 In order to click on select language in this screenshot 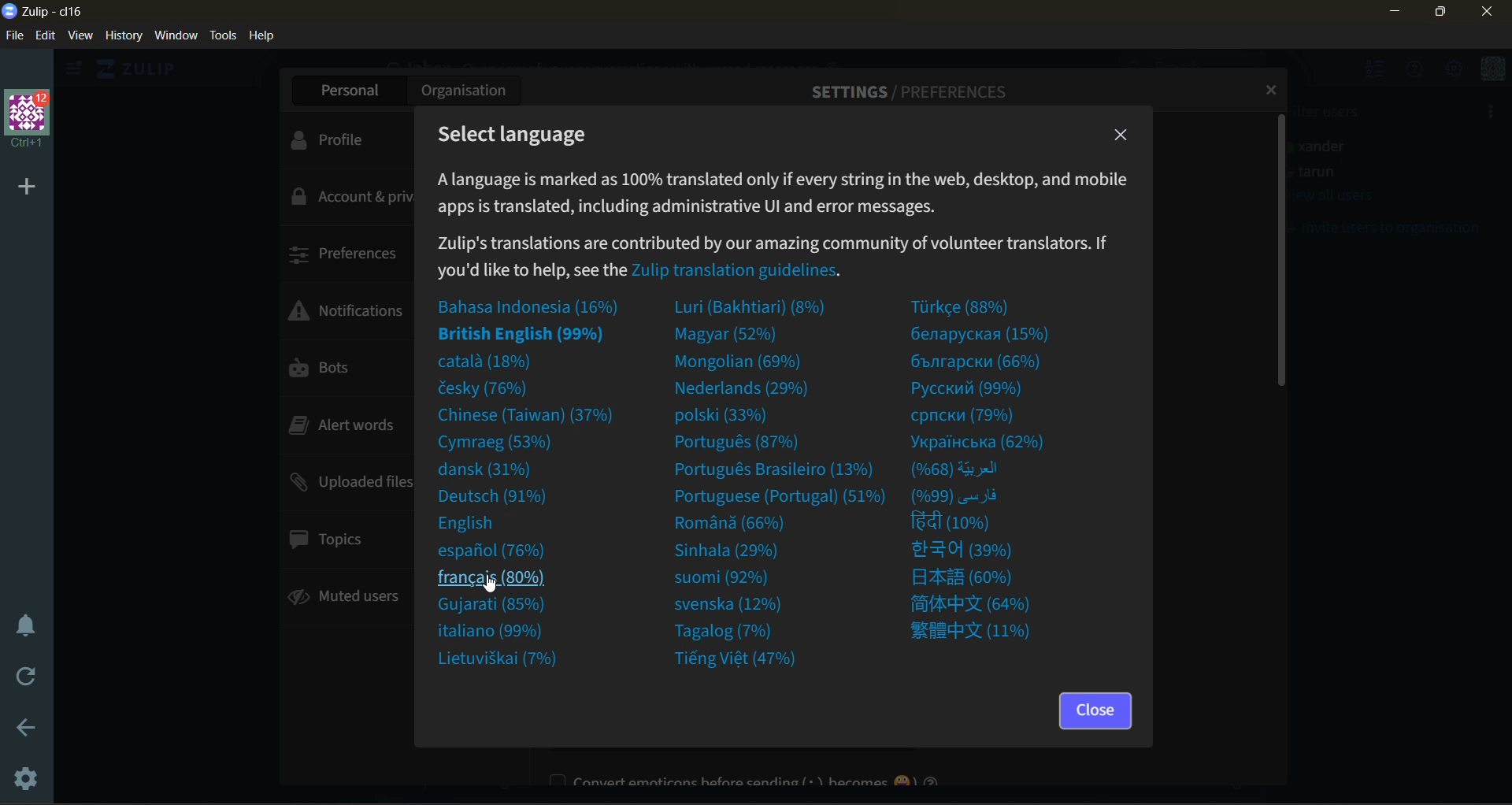, I will do `click(517, 139)`.